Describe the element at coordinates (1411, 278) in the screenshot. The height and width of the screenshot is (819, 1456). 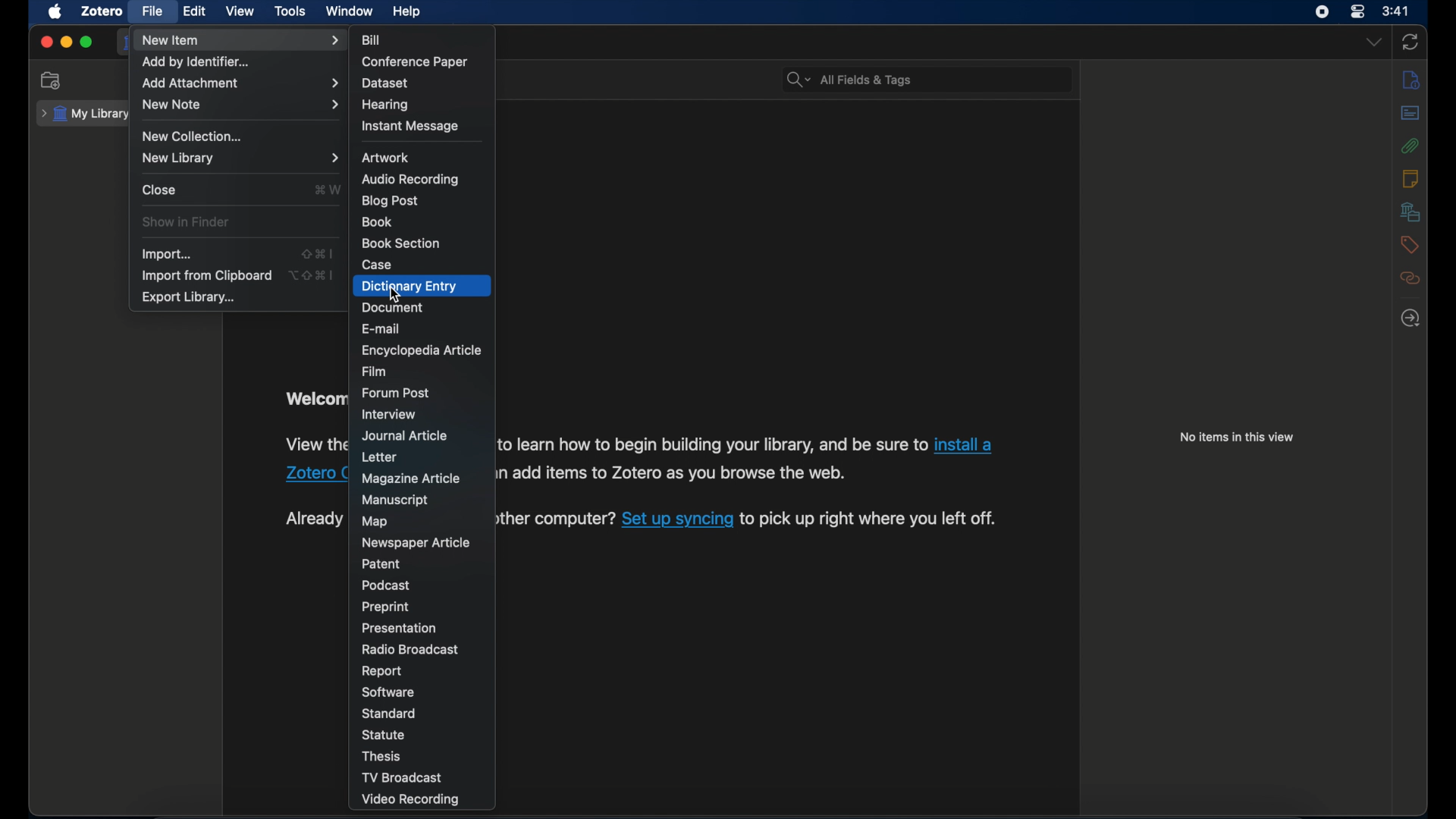
I see `related` at that location.